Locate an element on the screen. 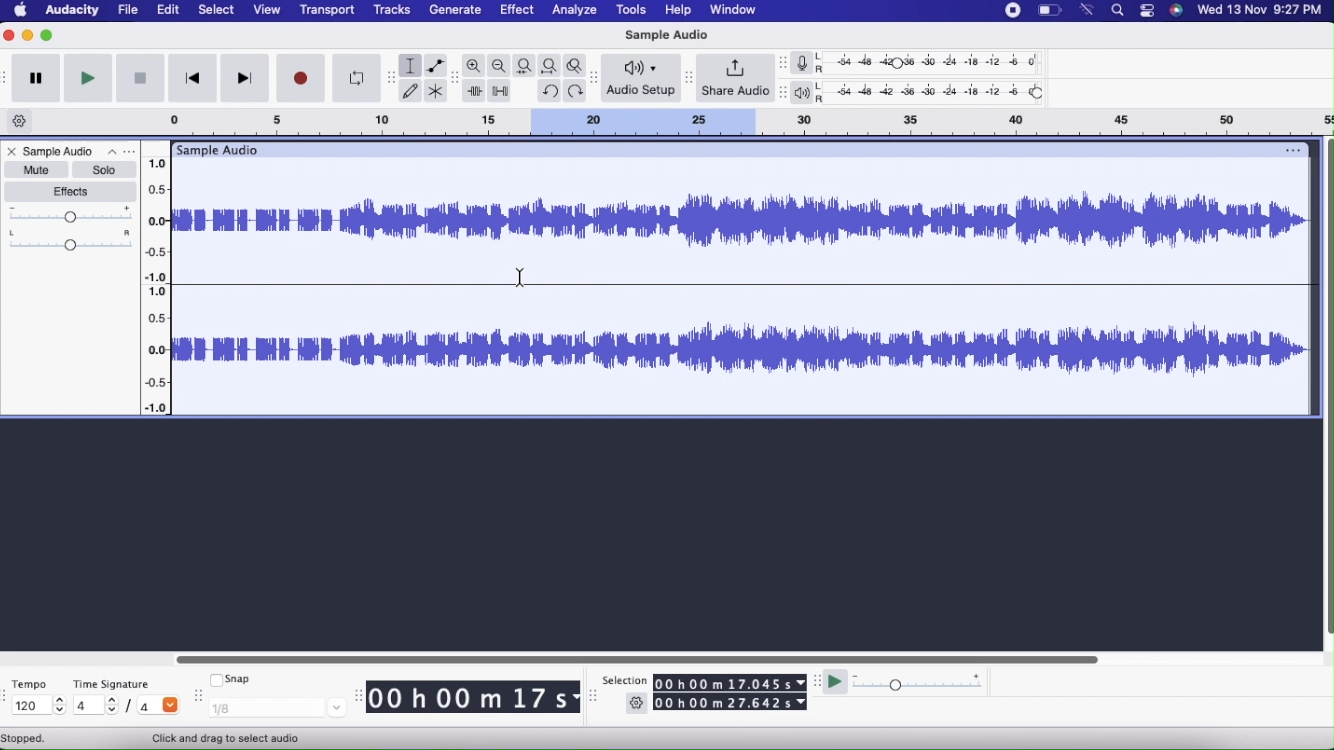 The height and width of the screenshot is (750, 1334). 00 h 00 m 17.045 s is located at coordinates (730, 683).